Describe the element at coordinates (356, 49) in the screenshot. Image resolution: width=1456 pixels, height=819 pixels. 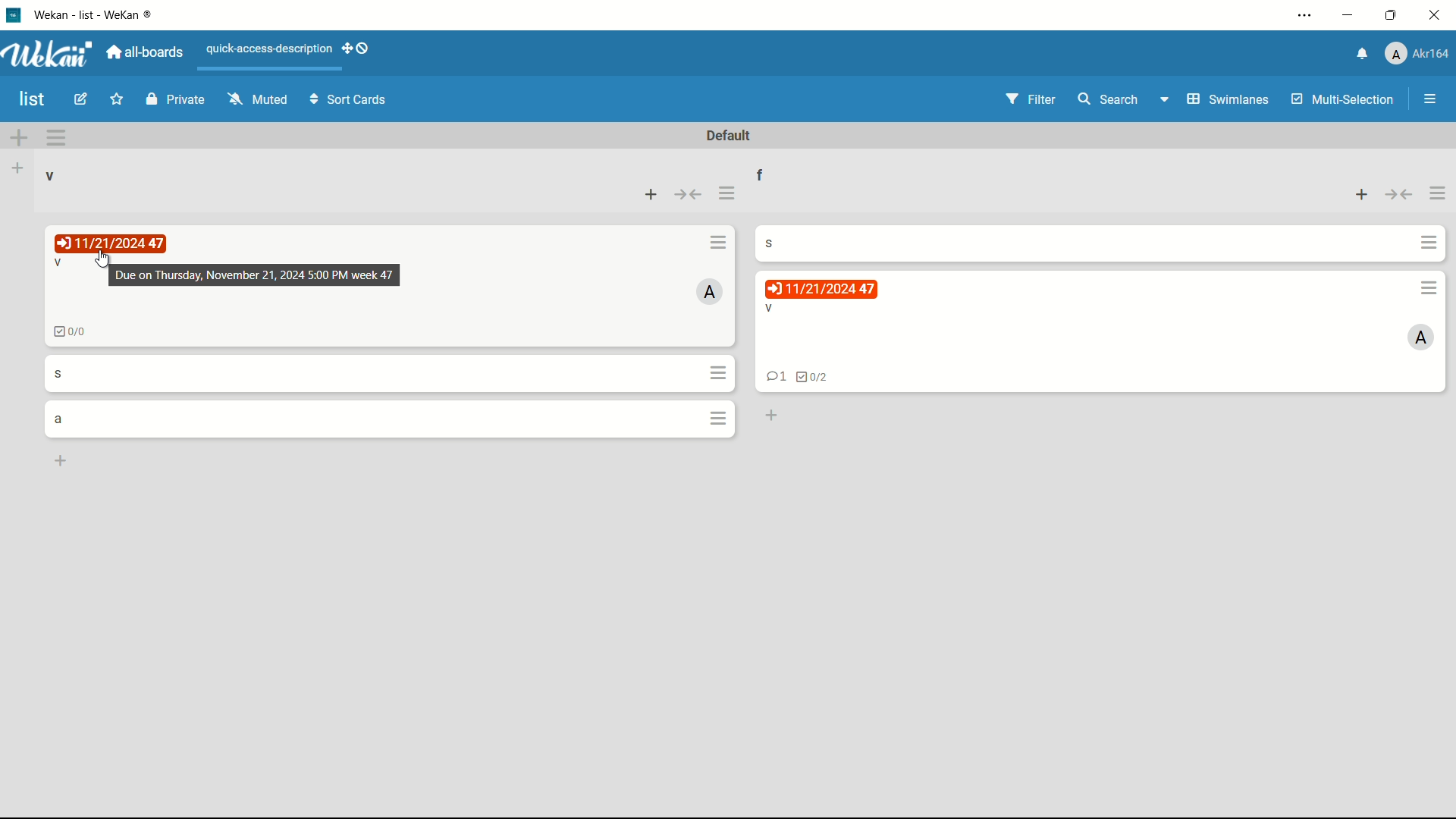
I see `show-desktop-drag-handles` at that location.